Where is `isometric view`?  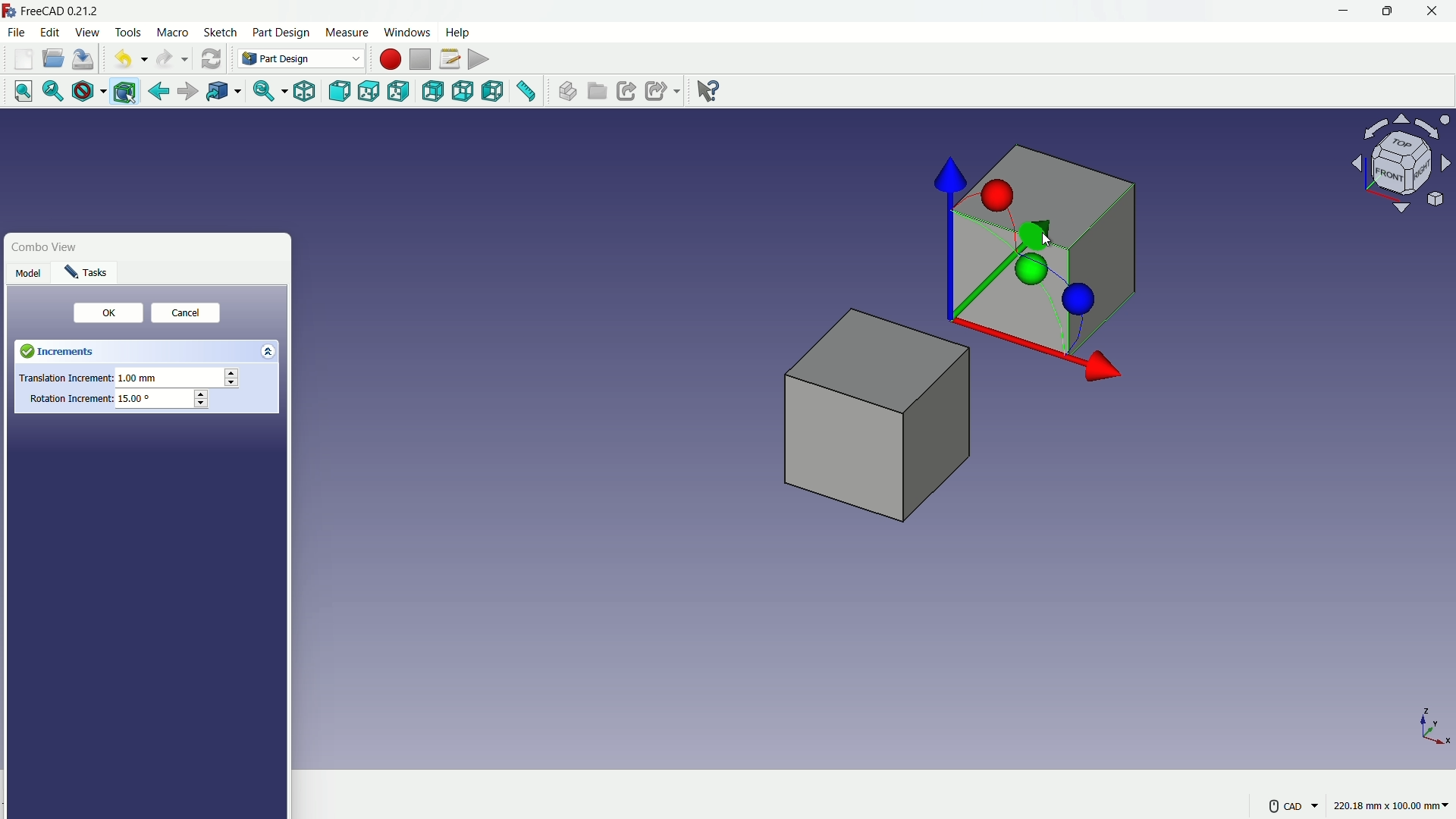 isometric view is located at coordinates (304, 93).